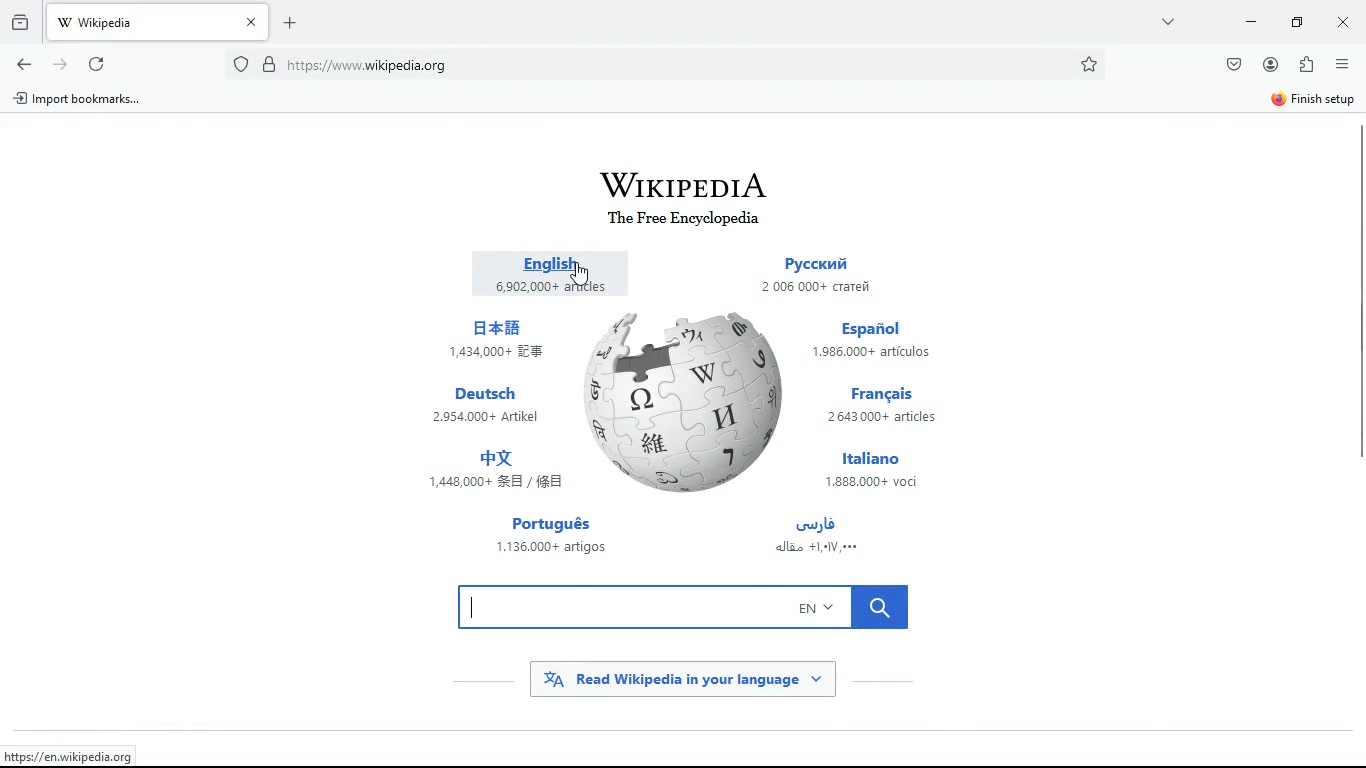 This screenshot has width=1366, height=768. Describe the element at coordinates (1270, 62) in the screenshot. I see `account` at that location.